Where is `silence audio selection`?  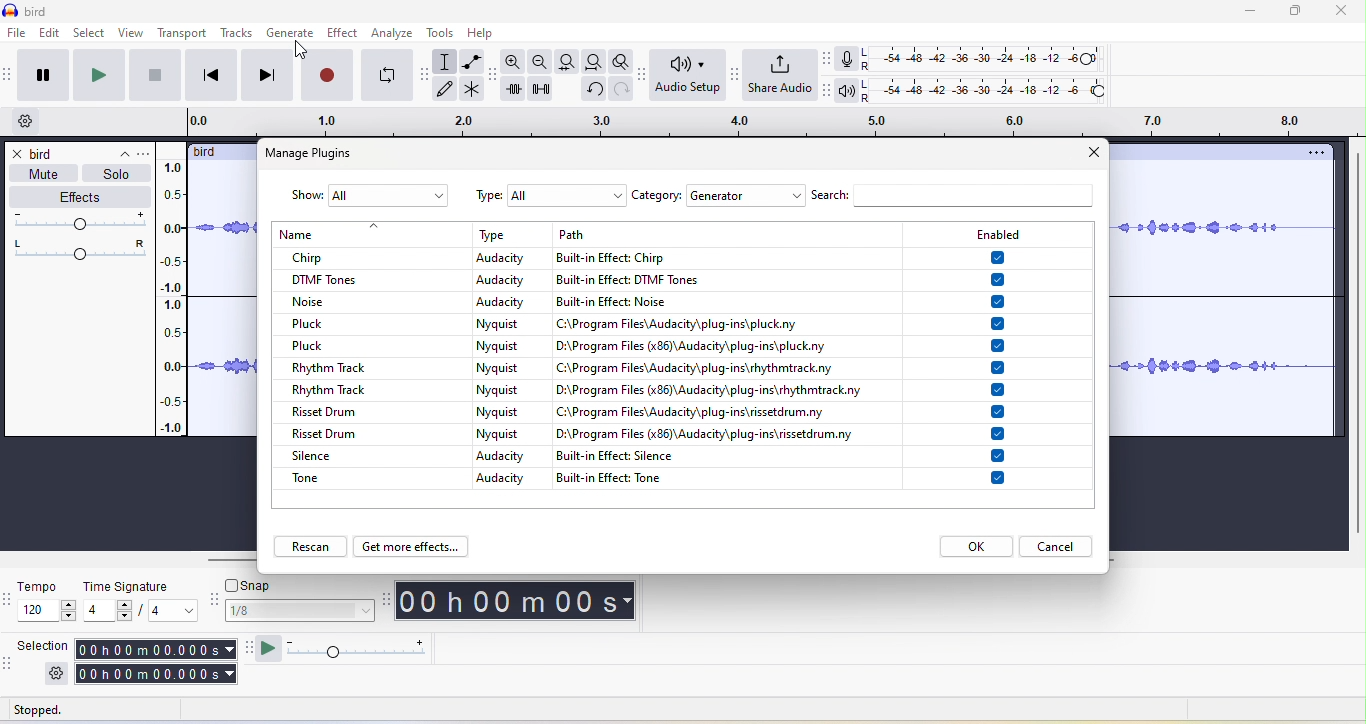
silence audio selection is located at coordinates (543, 90).